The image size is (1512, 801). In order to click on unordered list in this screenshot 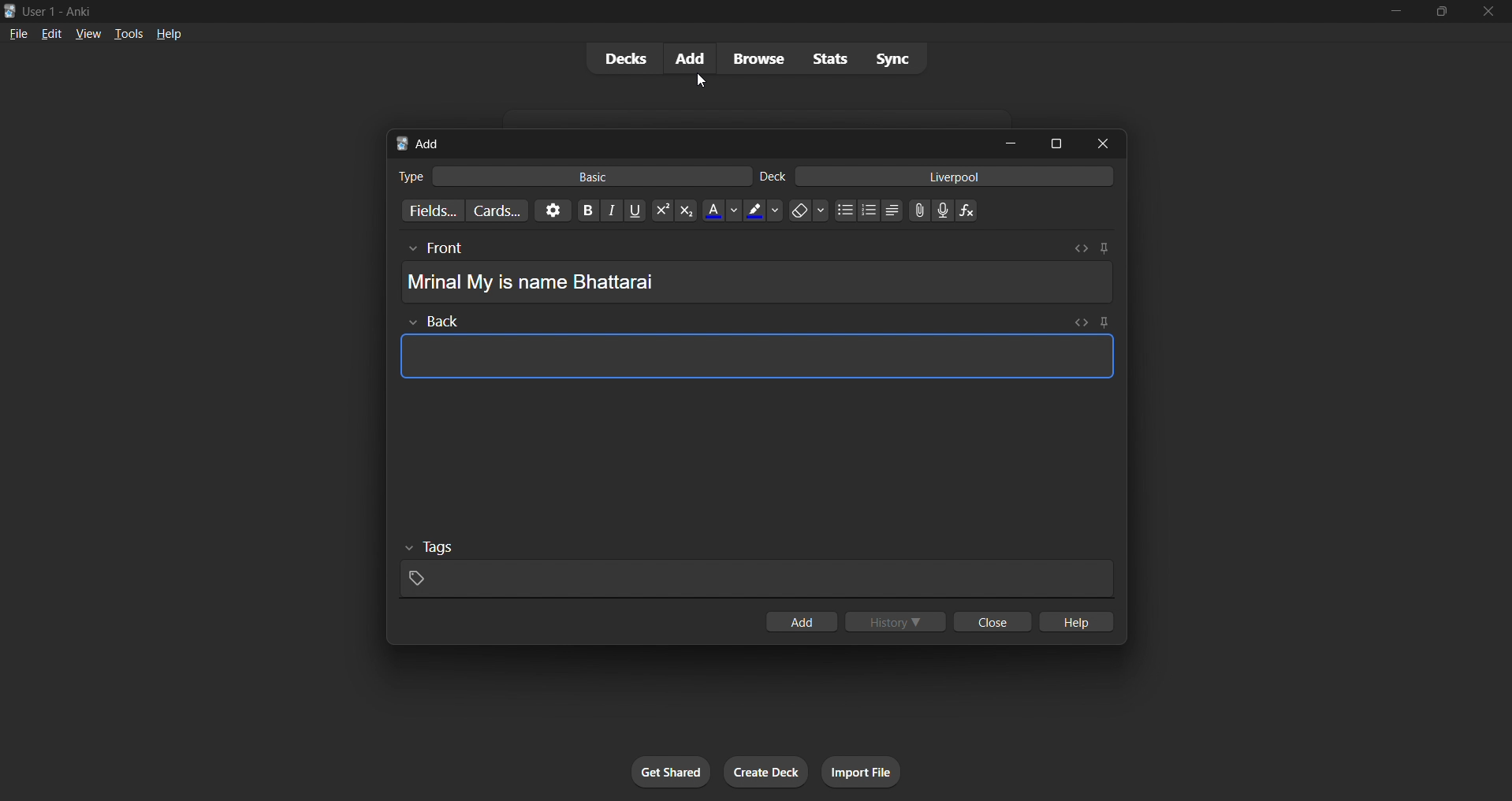, I will do `click(888, 212)`.